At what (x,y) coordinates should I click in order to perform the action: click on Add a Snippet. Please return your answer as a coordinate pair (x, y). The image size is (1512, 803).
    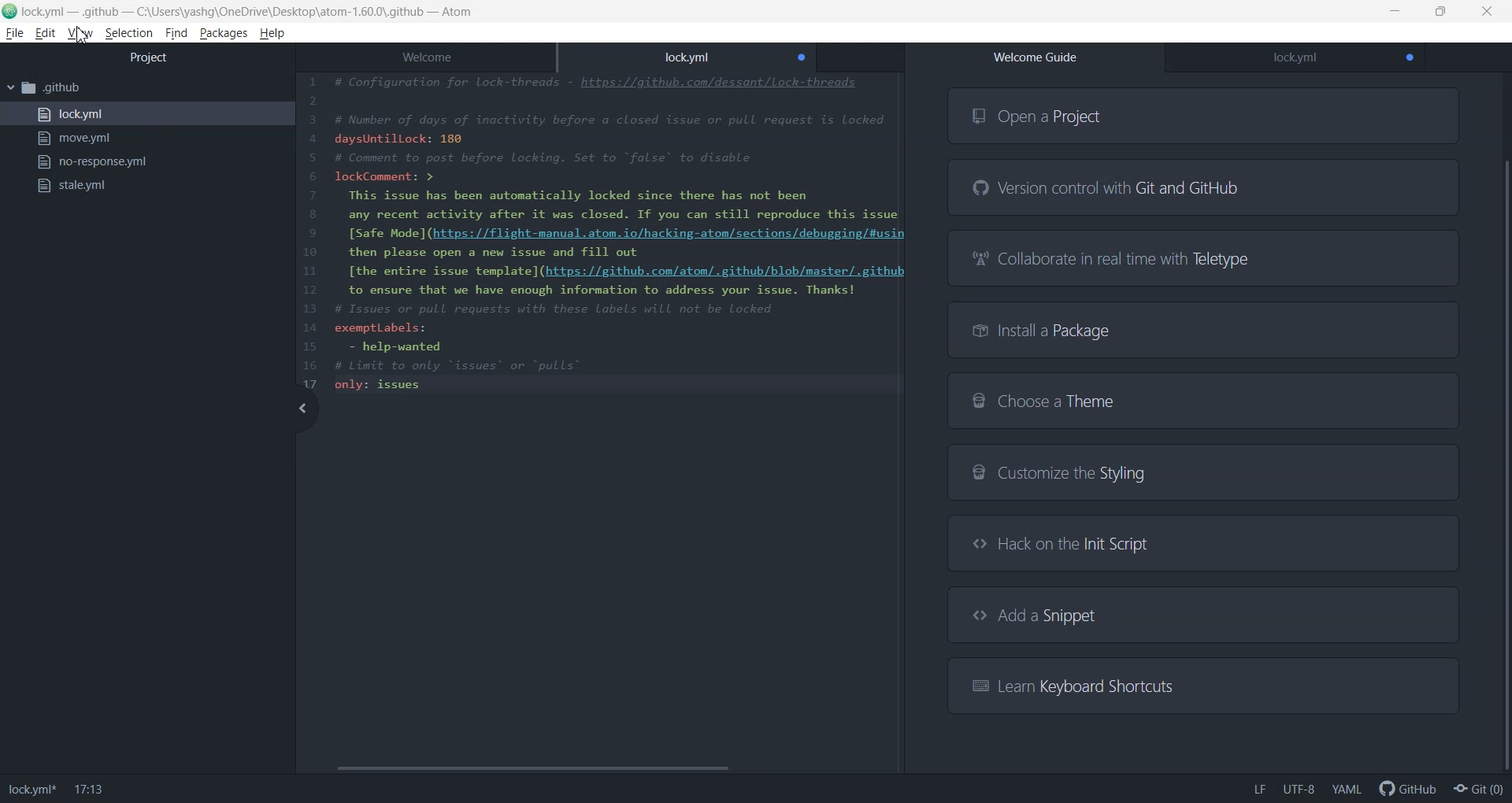
    Looking at the image, I should click on (1203, 615).